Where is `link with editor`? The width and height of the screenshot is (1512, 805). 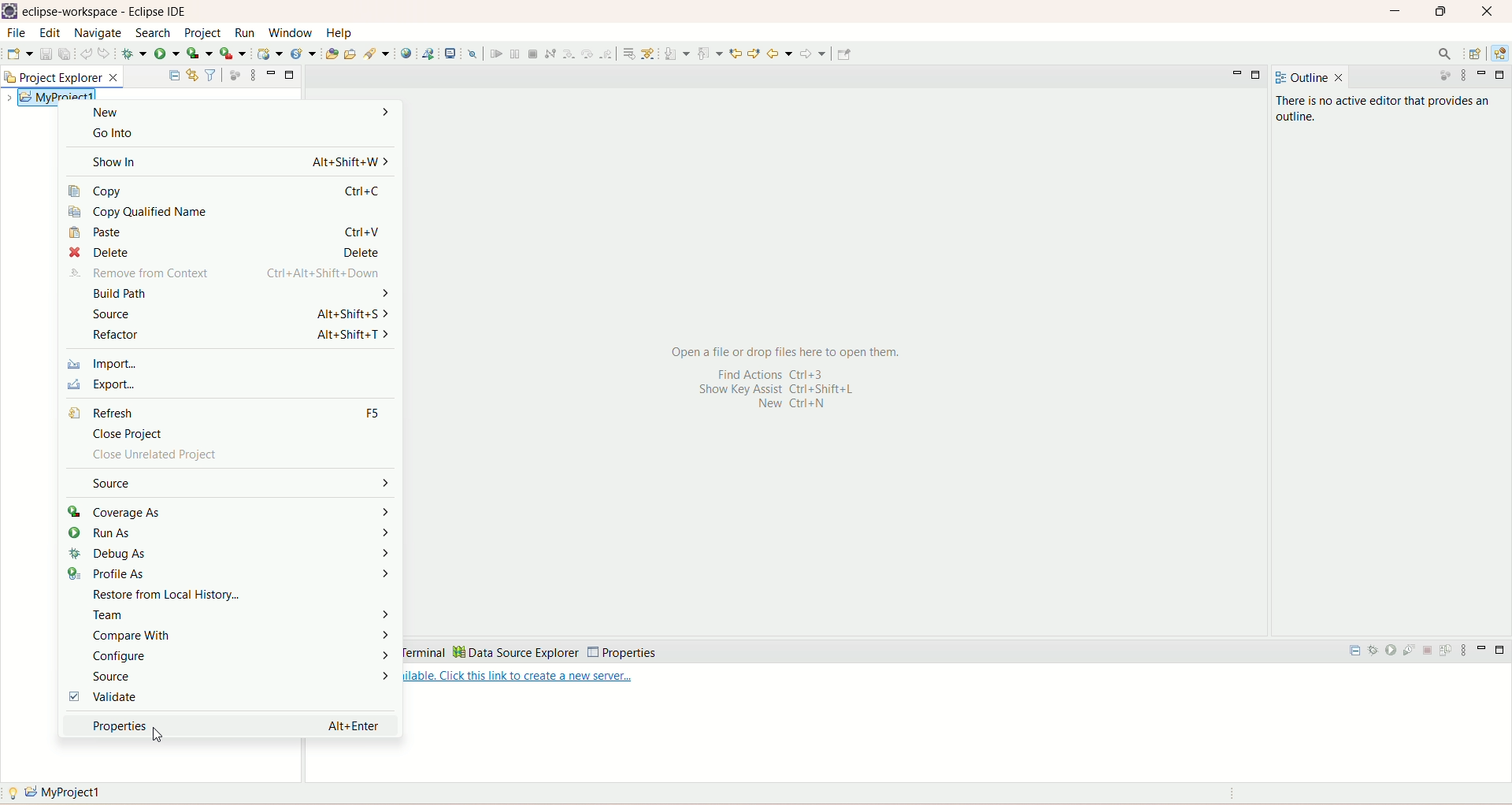
link with editor is located at coordinates (192, 73).